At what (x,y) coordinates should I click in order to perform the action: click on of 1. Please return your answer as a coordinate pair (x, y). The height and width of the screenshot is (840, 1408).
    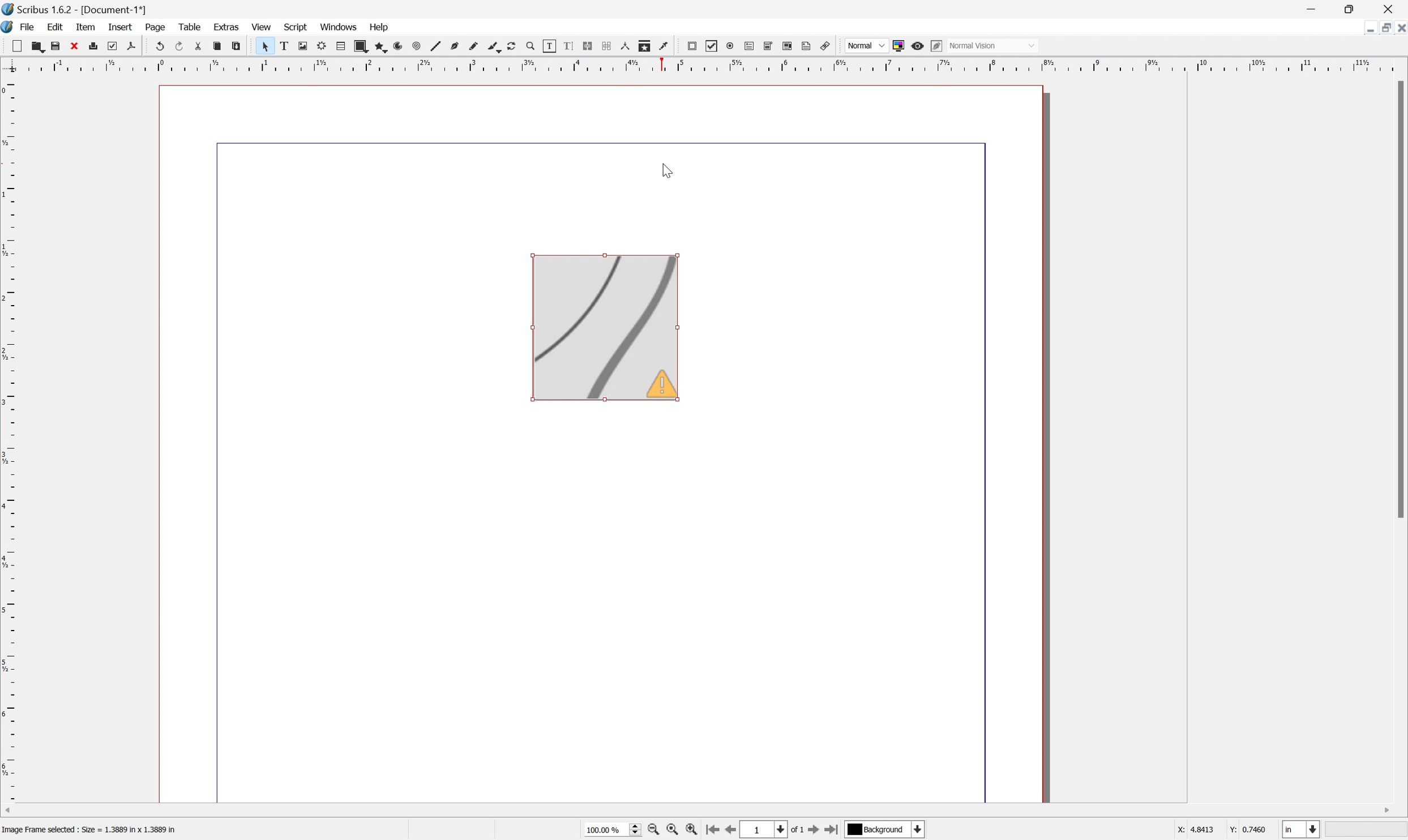
    Looking at the image, I should click on (799, 832).